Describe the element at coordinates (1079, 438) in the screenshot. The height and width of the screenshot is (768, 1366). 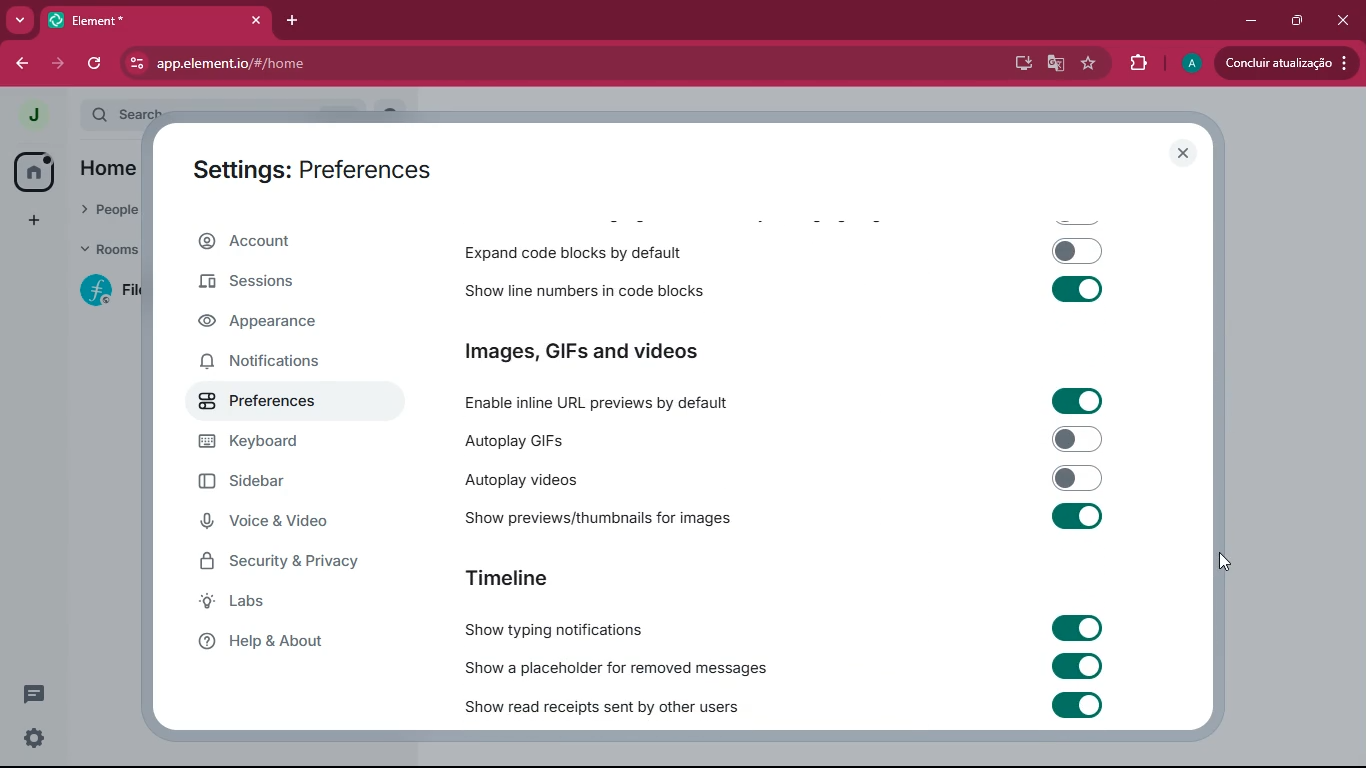
I see `toggle on/off` at that location.